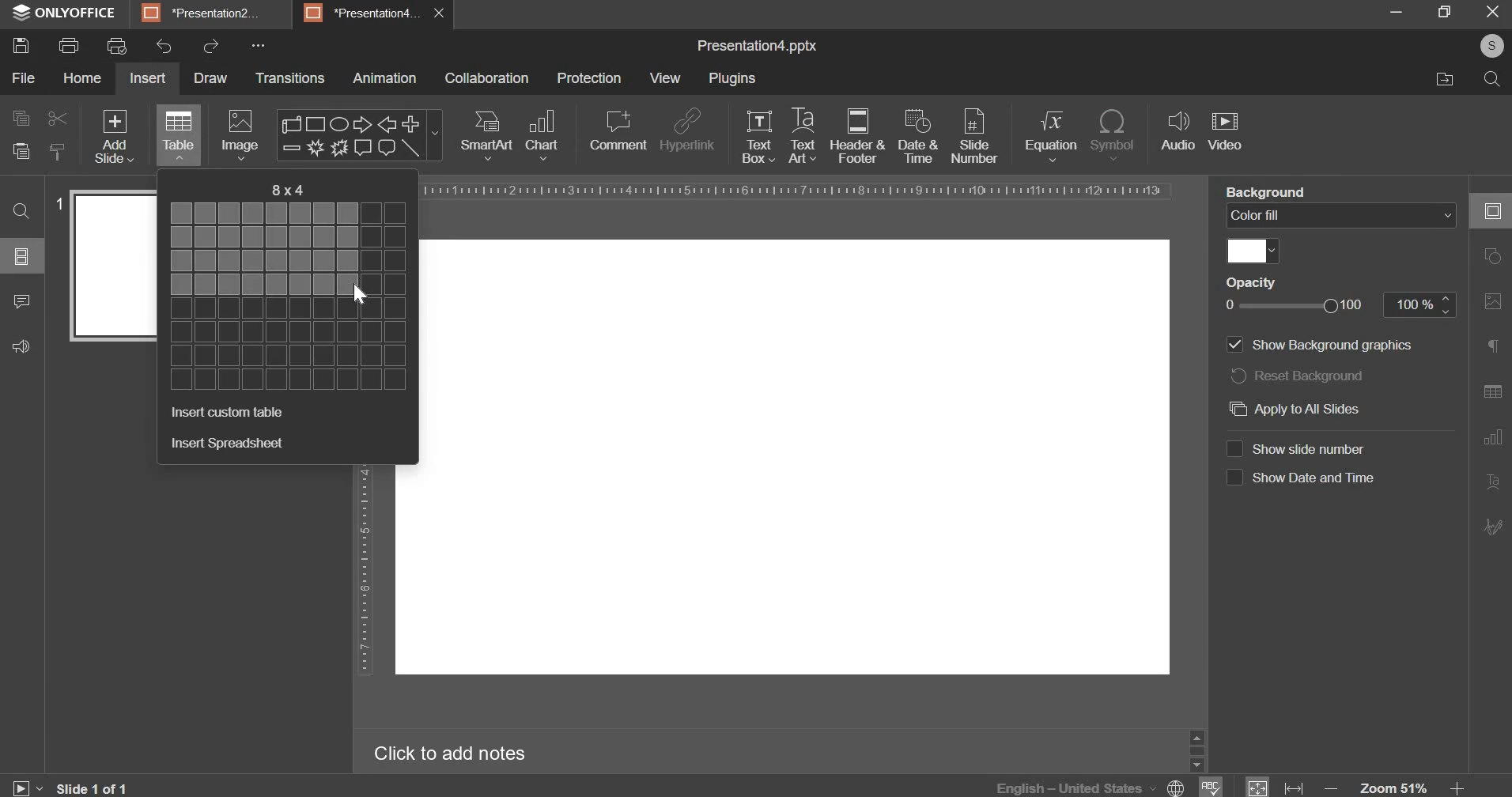 This screenshot has height=797, width=1512. What do you see at coordinates (1342, 217) in the screenshot?
I see `background fill` at bounding box center [1342, 217].